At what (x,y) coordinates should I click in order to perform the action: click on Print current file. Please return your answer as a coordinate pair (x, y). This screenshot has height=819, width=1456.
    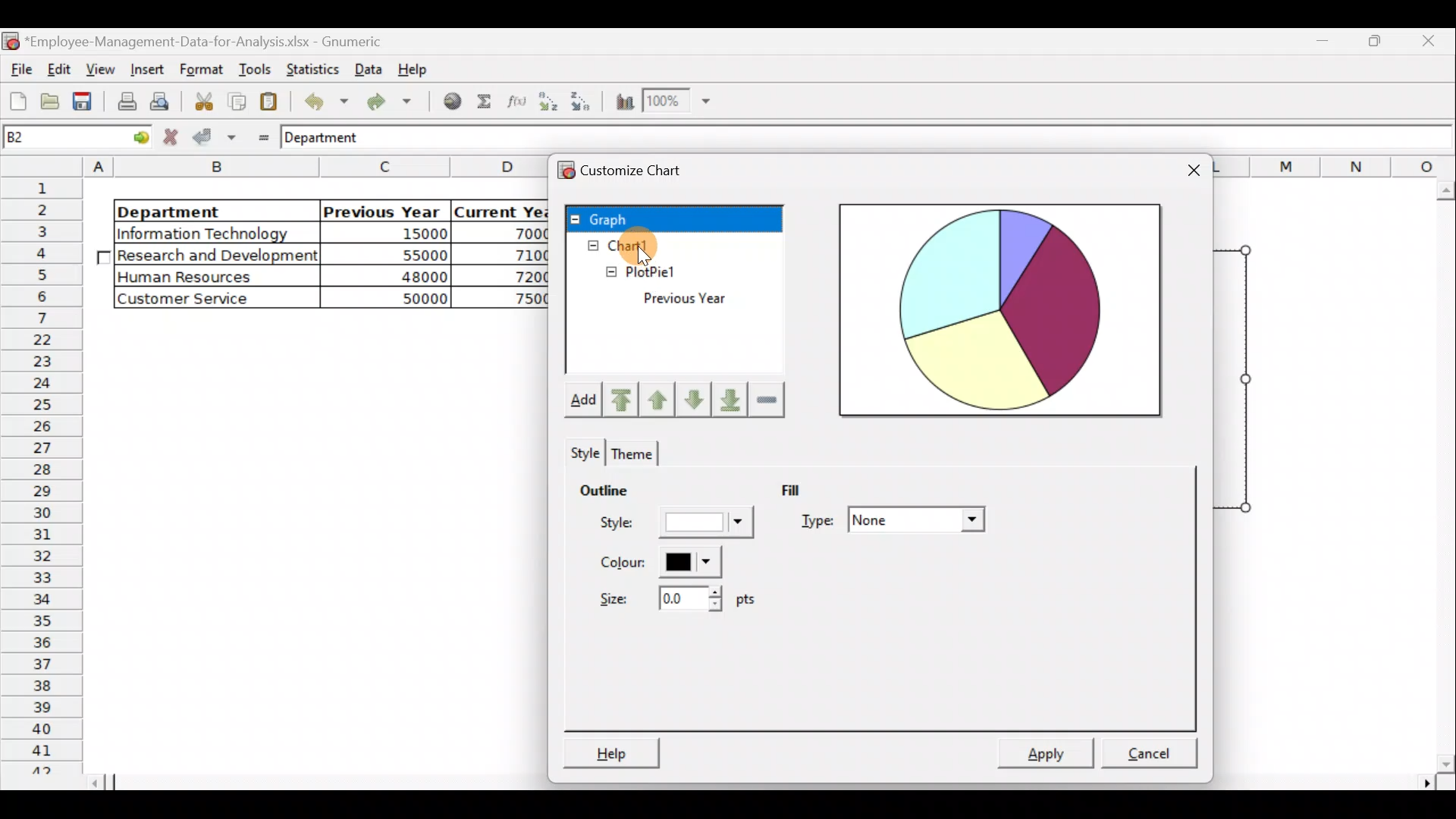
    Looking at the image, I should click on (124, 103).